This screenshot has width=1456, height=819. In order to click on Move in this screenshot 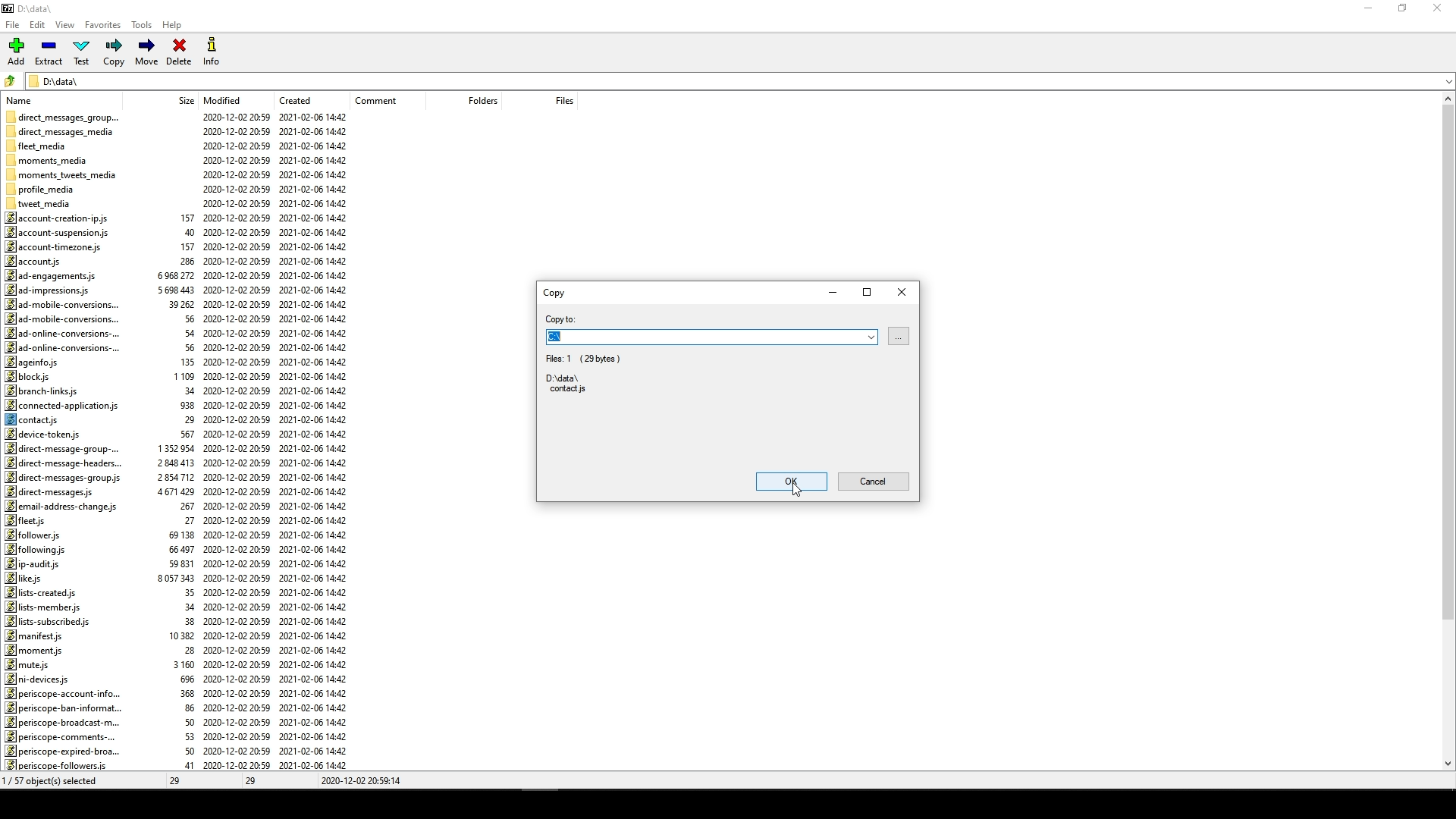, I will do `click(148, 52)`.